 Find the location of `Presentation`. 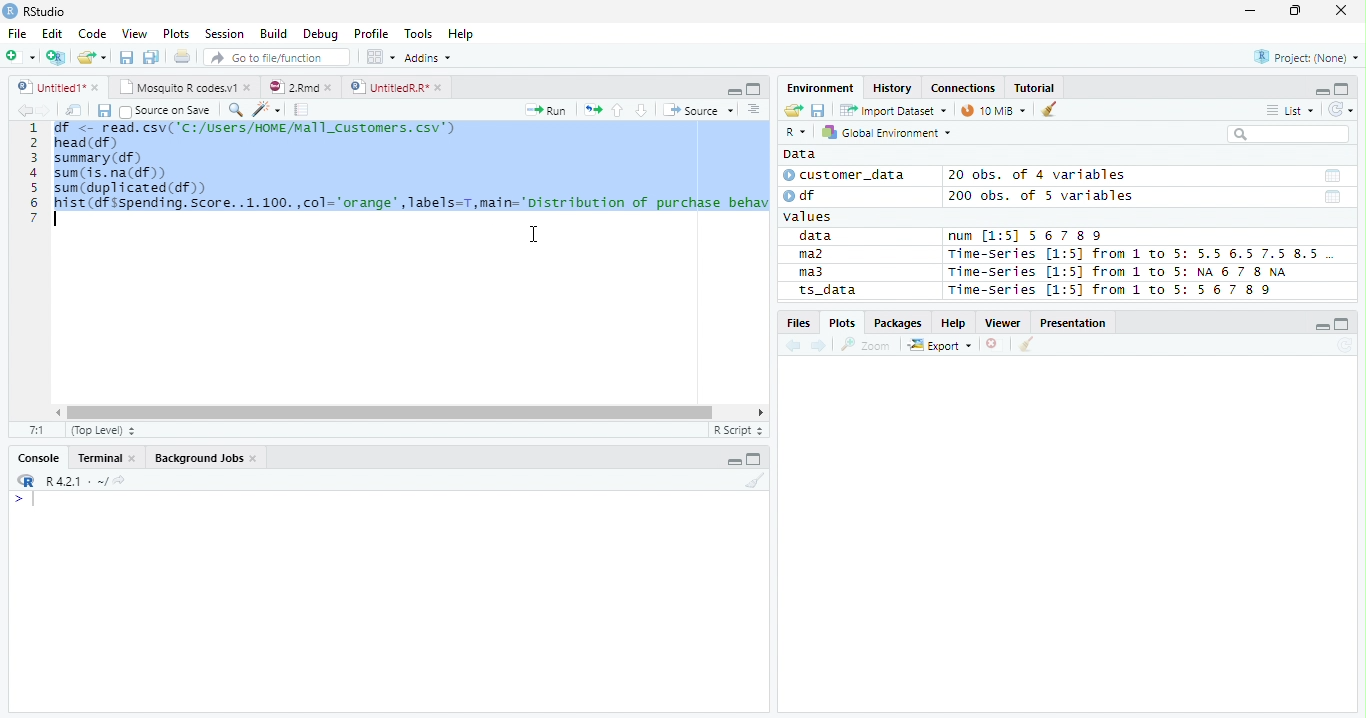

Presentation is located at coordinates (1076, 323).